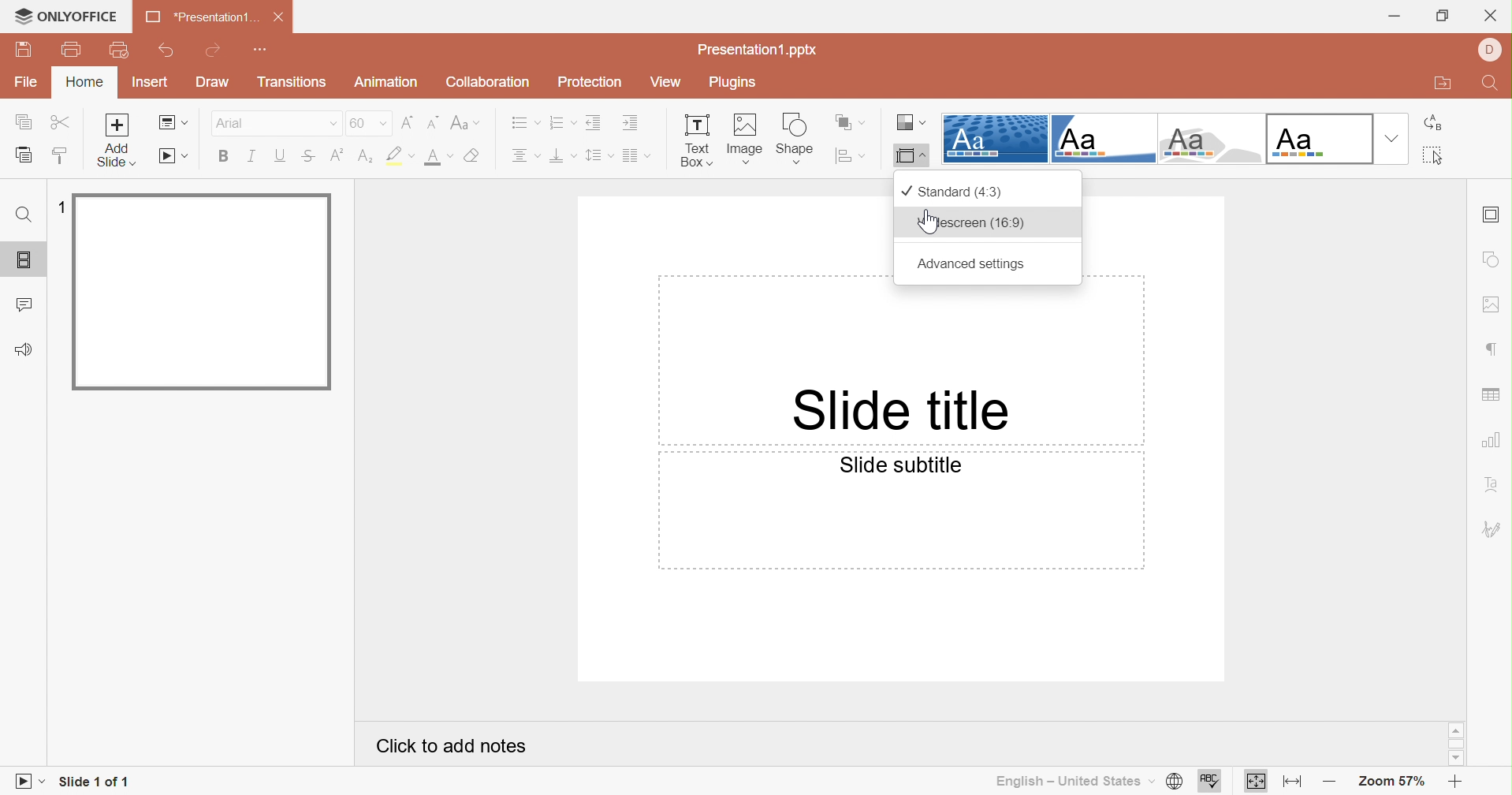  I want to click on Insert, so click(152, 82).